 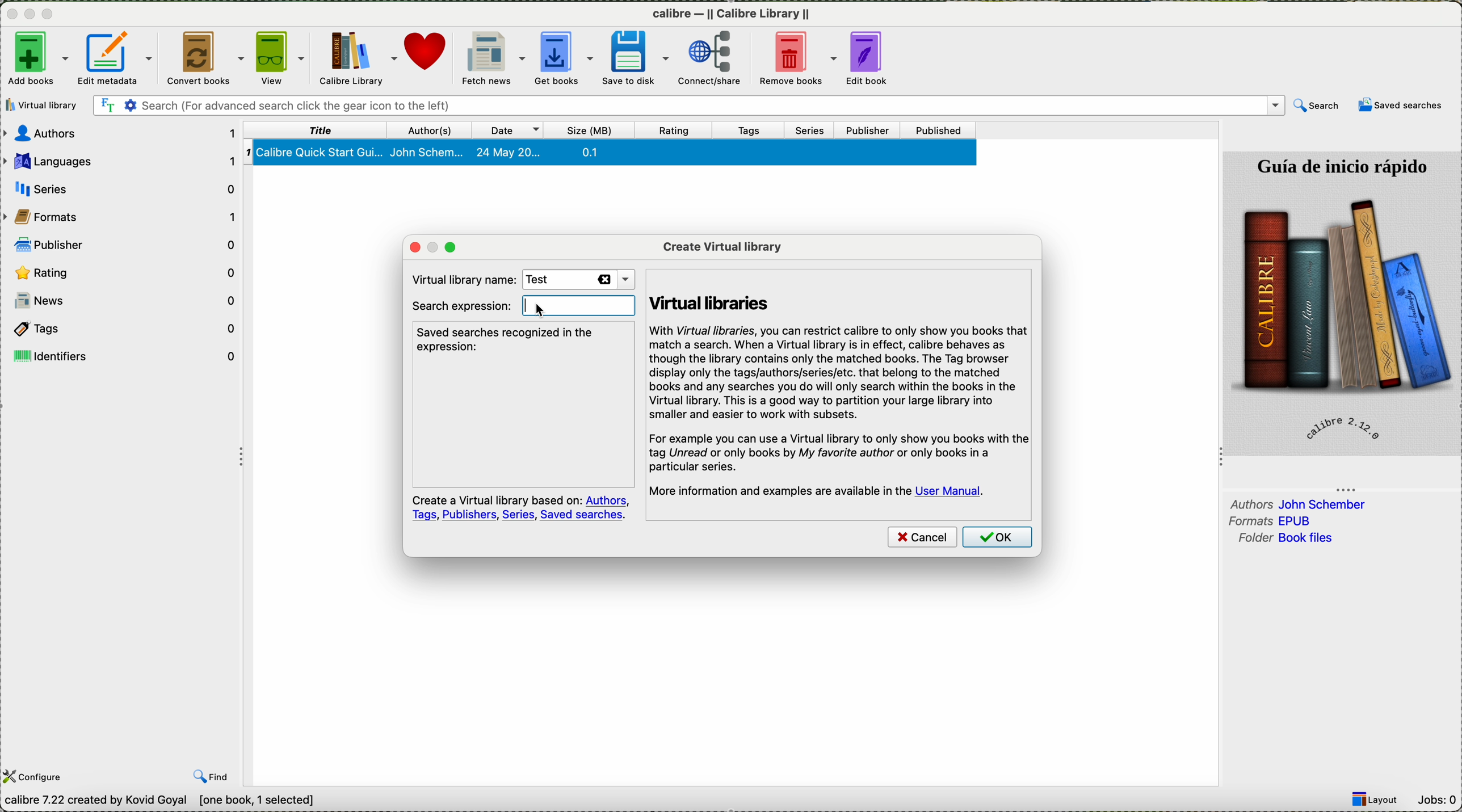 I want to click on size, so click(x=594, y=129).